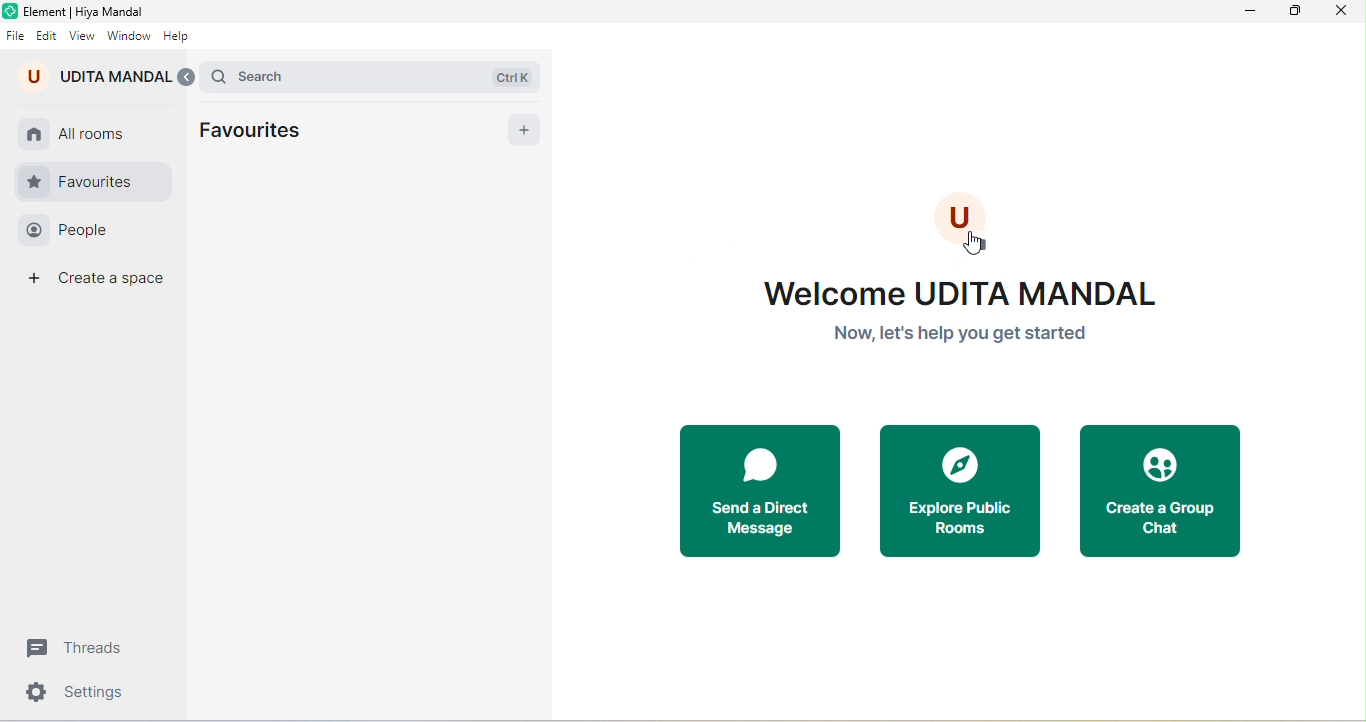  Describe the element at coordinates (100, 282) in the screenshot. I see `create a space` at that location.